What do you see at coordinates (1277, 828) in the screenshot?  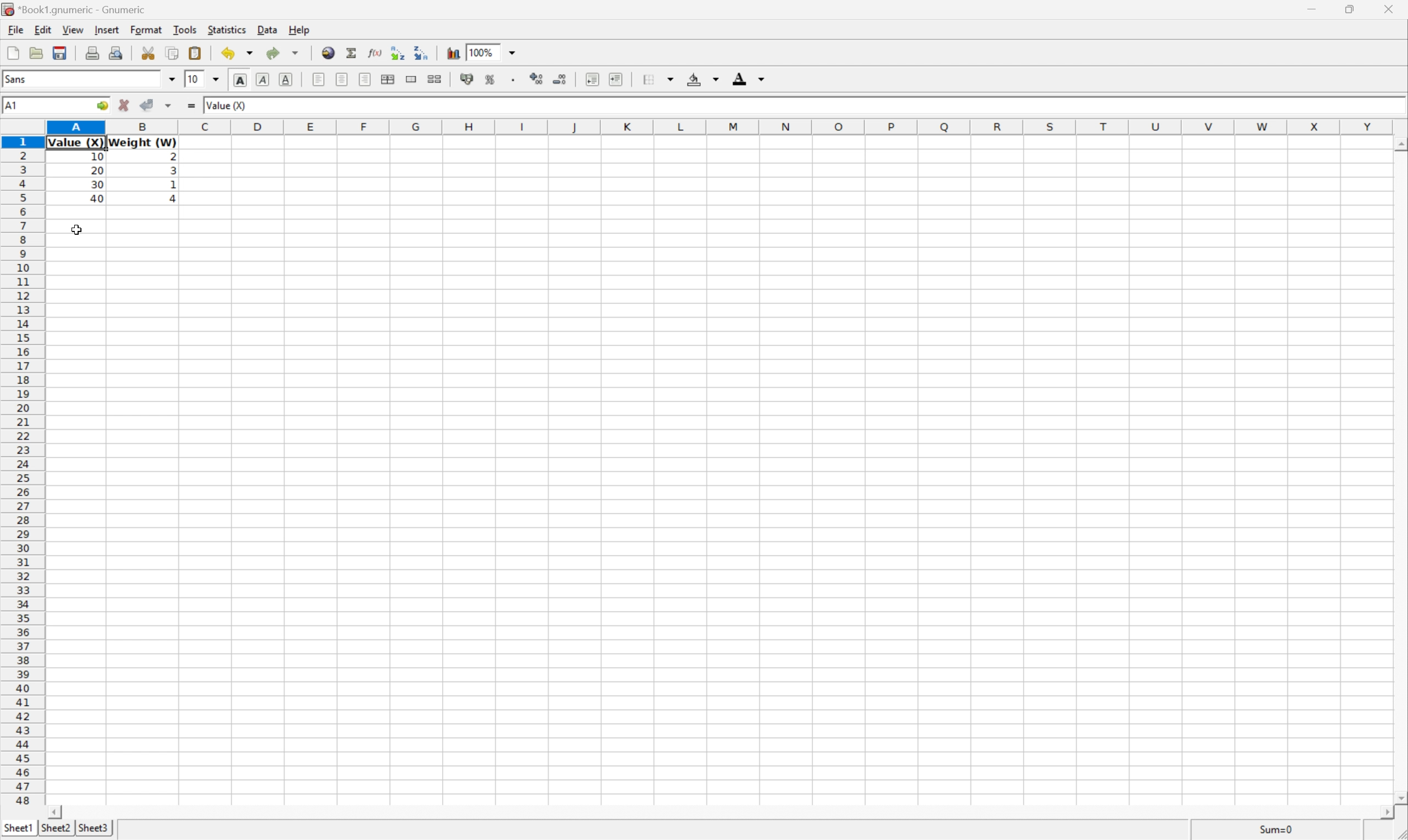 I see `Sum = 0` at bounding box center [1277, 828].